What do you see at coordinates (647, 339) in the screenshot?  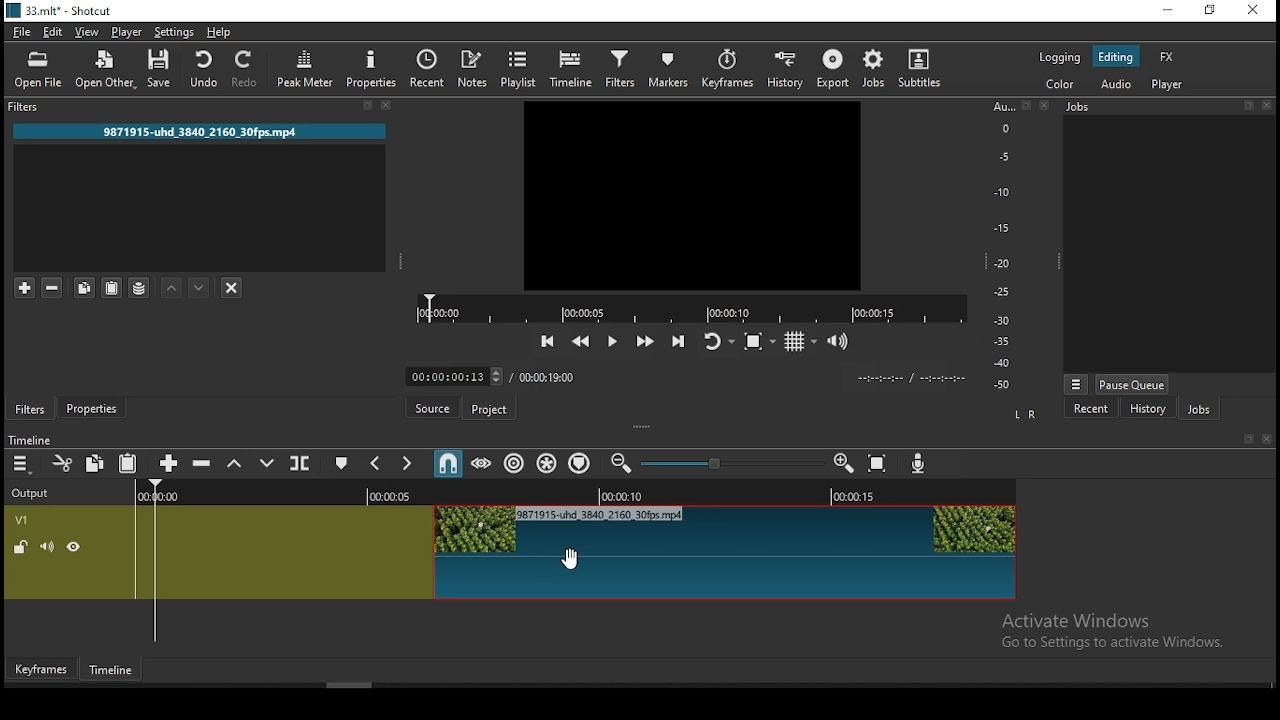 I see `play quickly forward` at bounding box center [647, 339].